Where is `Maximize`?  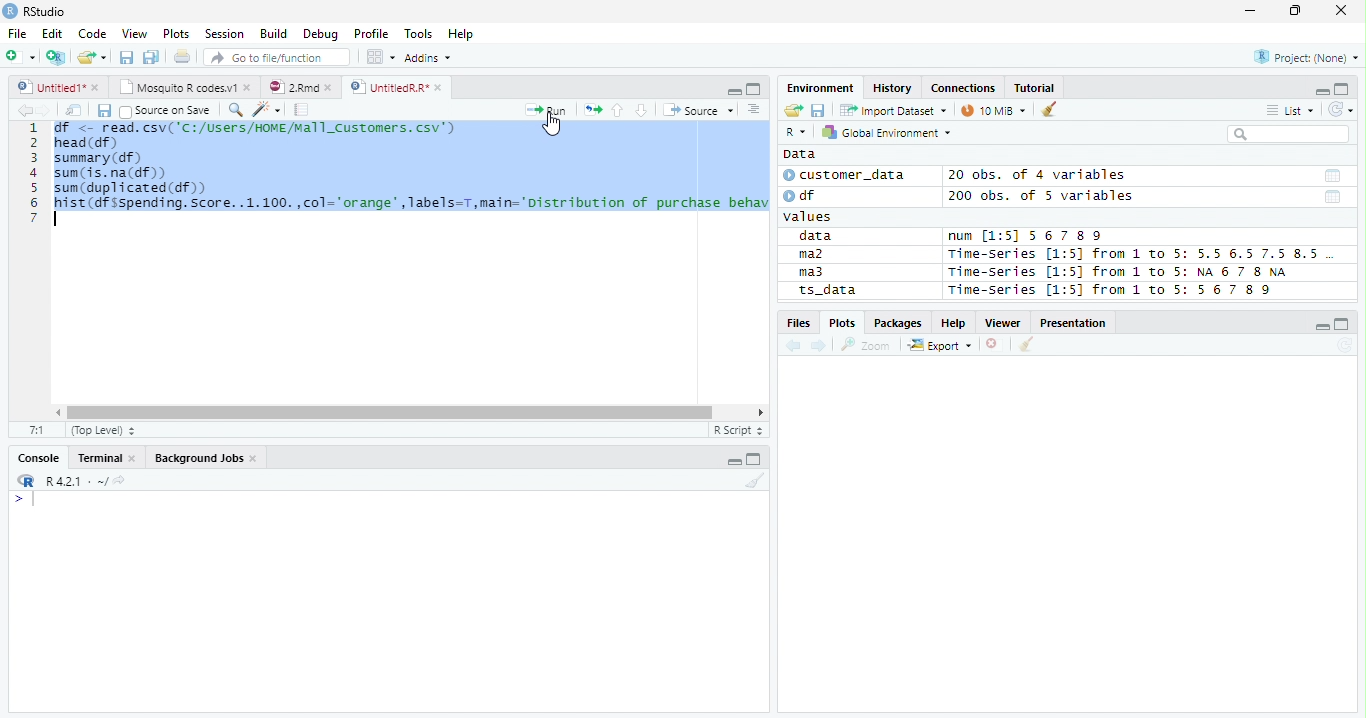 Maximize is located at coordinates (753, 88).